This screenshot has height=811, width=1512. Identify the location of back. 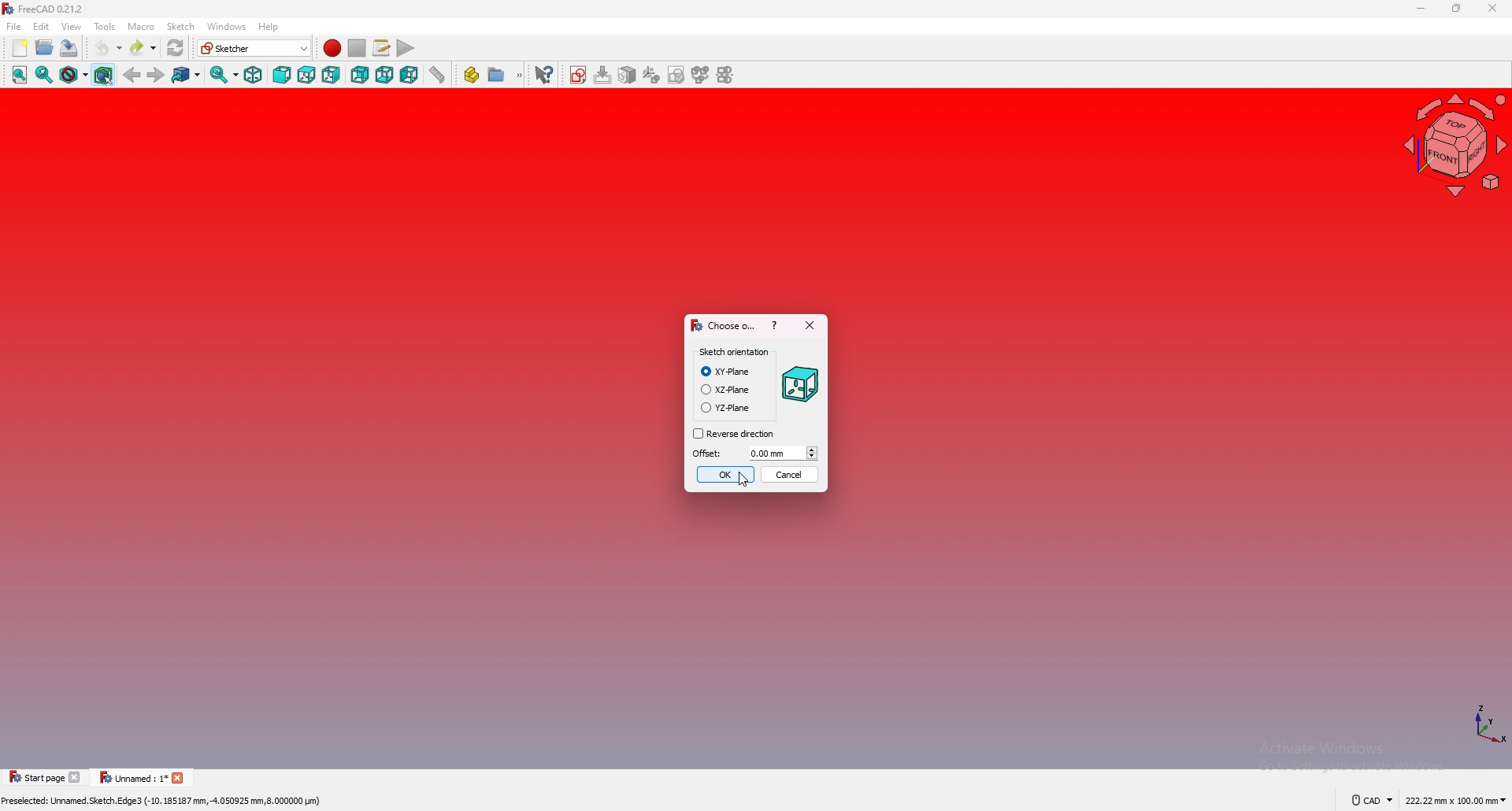
(132, 74).